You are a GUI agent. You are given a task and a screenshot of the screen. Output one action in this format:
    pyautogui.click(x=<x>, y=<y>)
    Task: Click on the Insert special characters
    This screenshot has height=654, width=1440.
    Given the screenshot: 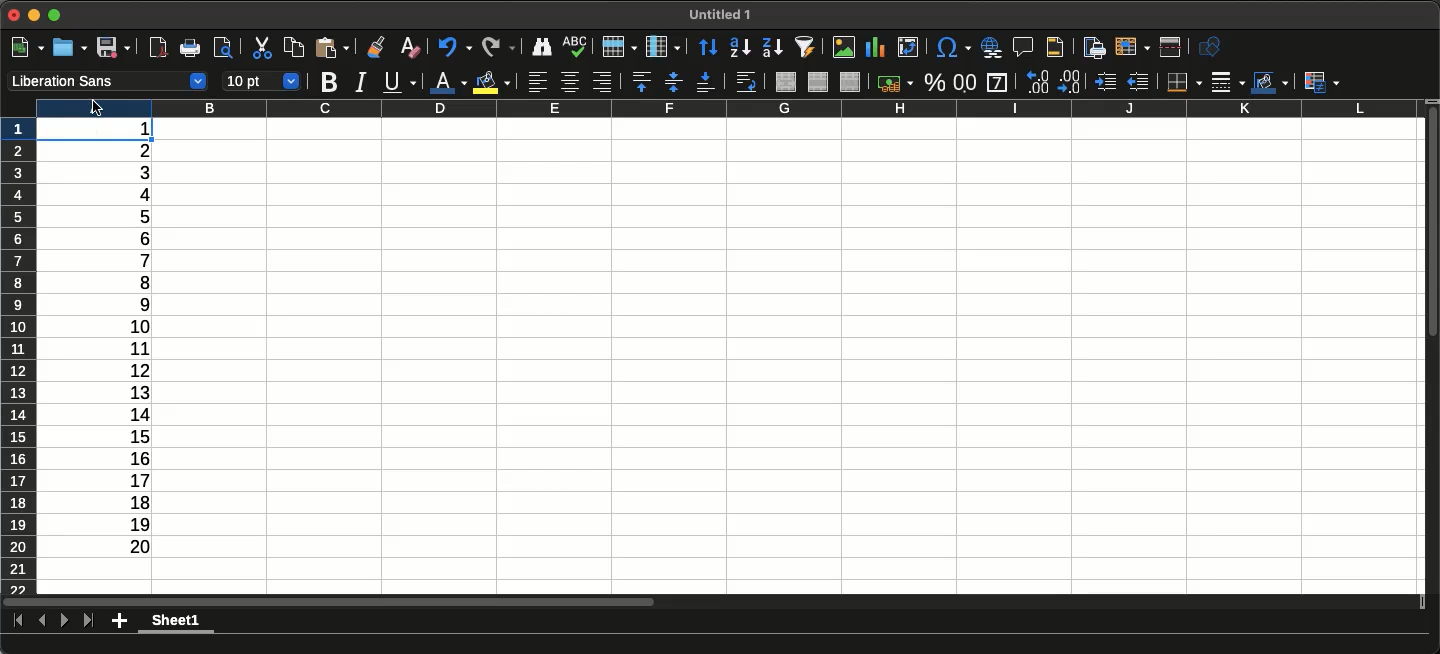 What is the action you would take?
    pyautogui.click(x=952, y=47)
    